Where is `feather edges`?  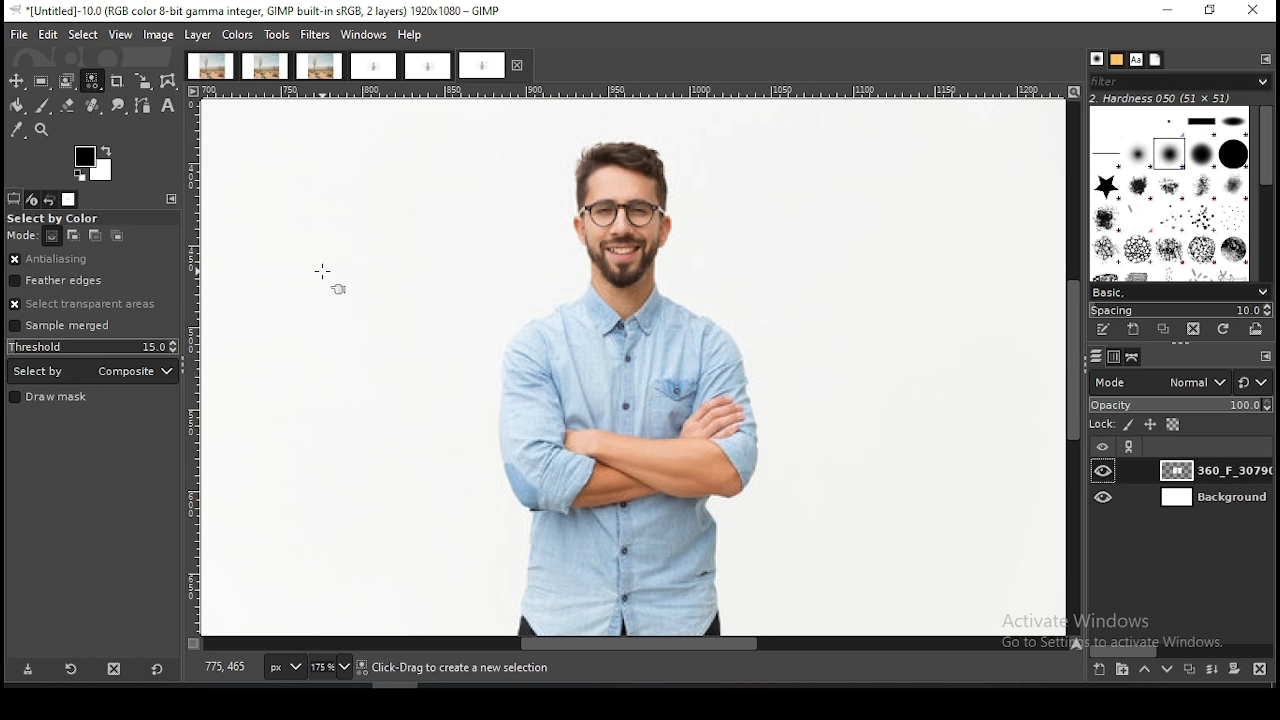 feather edges is located at coordinates (94, 280).